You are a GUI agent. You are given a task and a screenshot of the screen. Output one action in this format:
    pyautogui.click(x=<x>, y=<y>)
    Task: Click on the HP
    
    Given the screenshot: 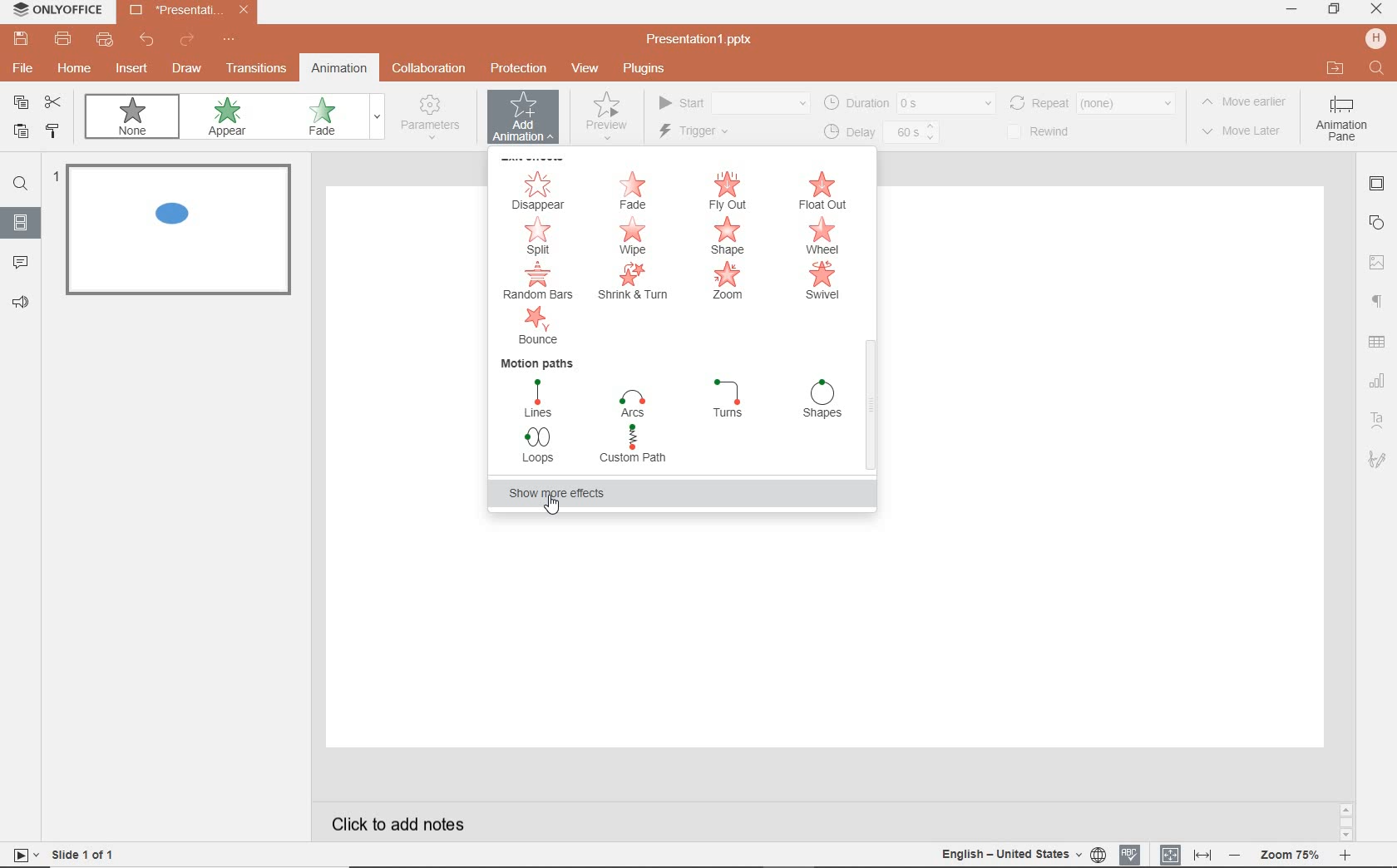 What is the action you would take?
    pyautogui.click(x=1375, y=40)
    